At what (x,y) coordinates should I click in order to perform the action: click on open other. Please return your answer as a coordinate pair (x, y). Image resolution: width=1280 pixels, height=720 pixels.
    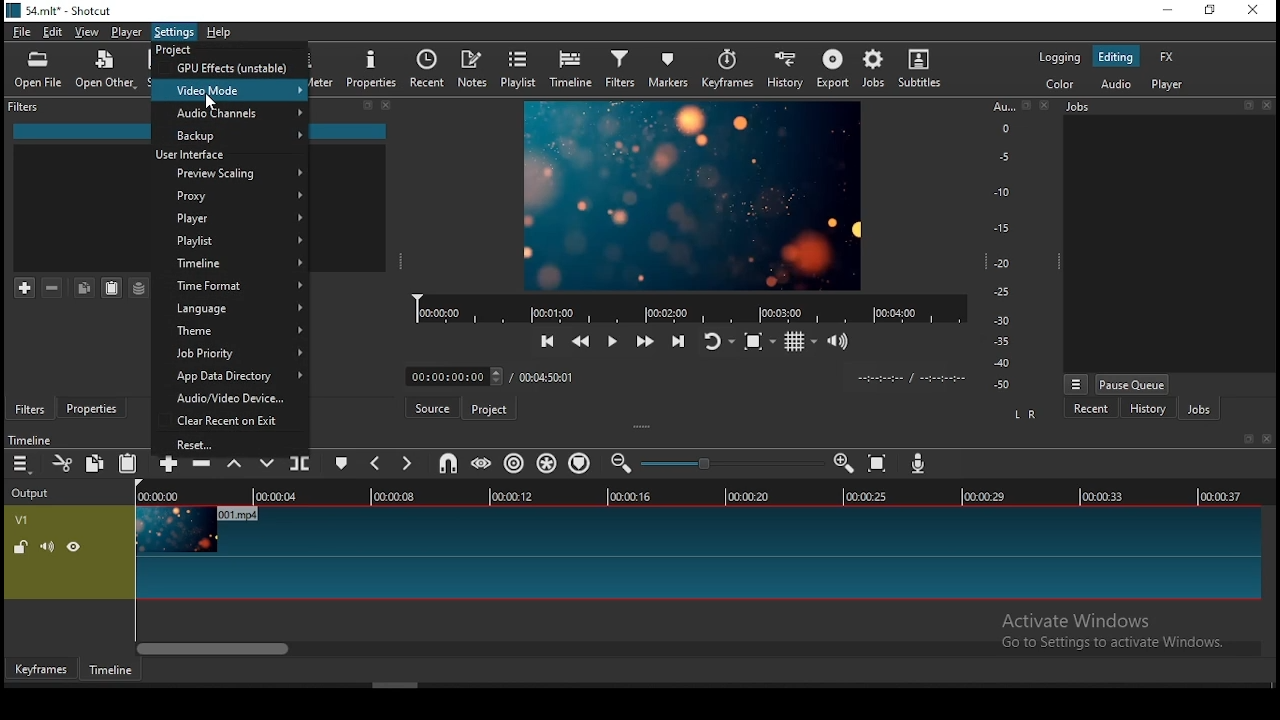
    Looking at the image, I should click on (105, 75).